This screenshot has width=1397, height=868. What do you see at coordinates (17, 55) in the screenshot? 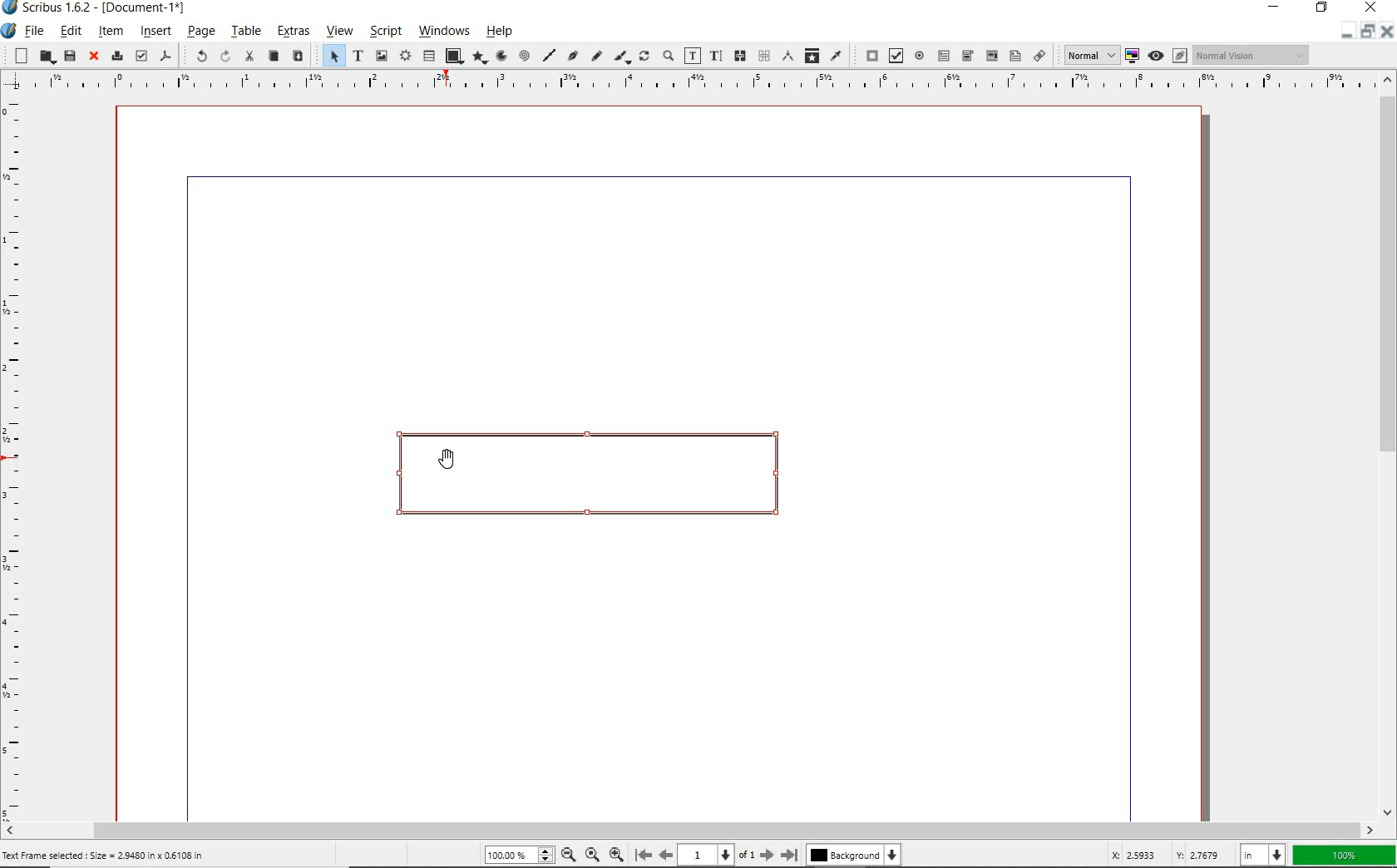
I see `new` at bounding box center [17, 55].